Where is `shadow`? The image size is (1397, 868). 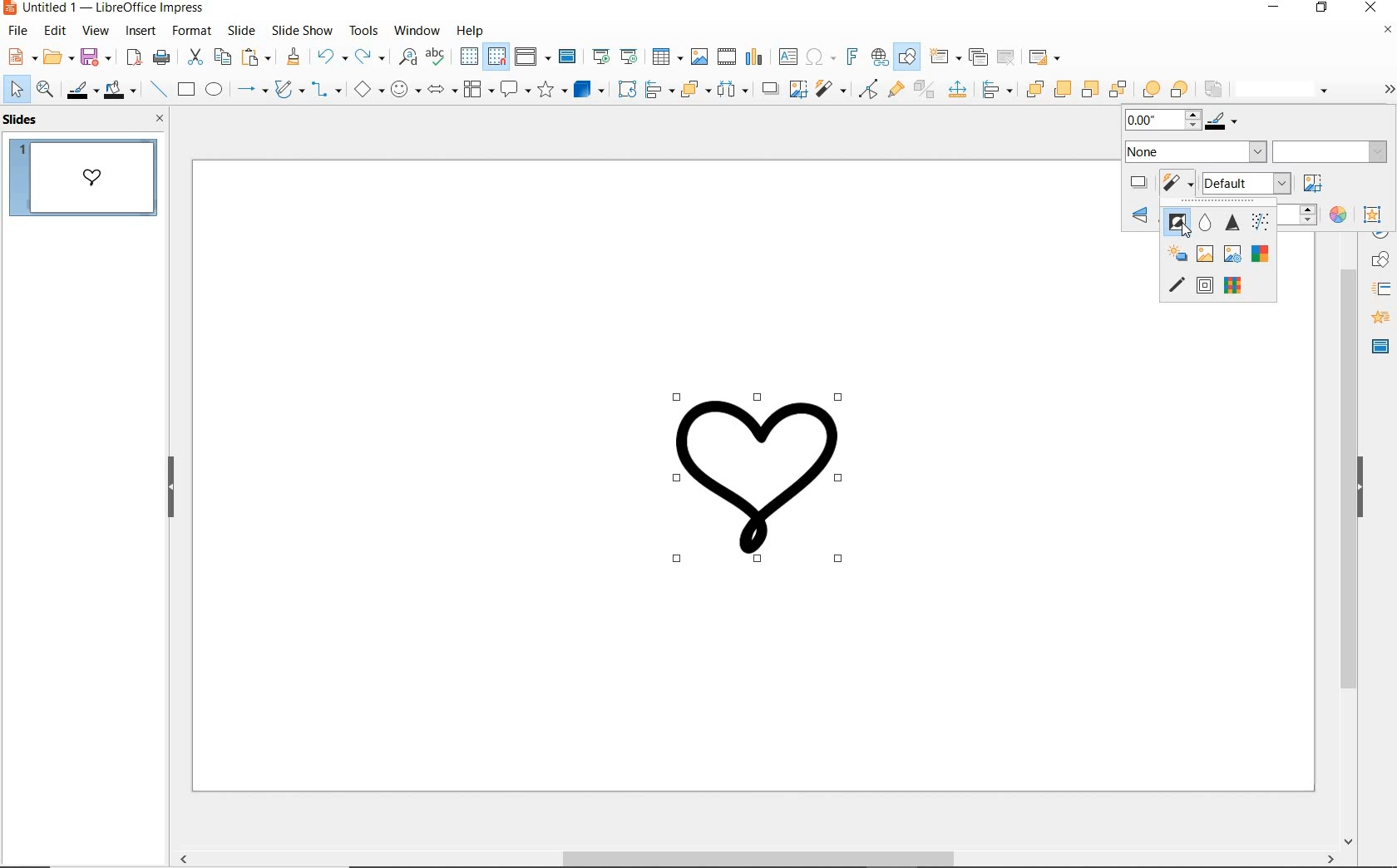
shadow is located at coordinates (1139, 183).